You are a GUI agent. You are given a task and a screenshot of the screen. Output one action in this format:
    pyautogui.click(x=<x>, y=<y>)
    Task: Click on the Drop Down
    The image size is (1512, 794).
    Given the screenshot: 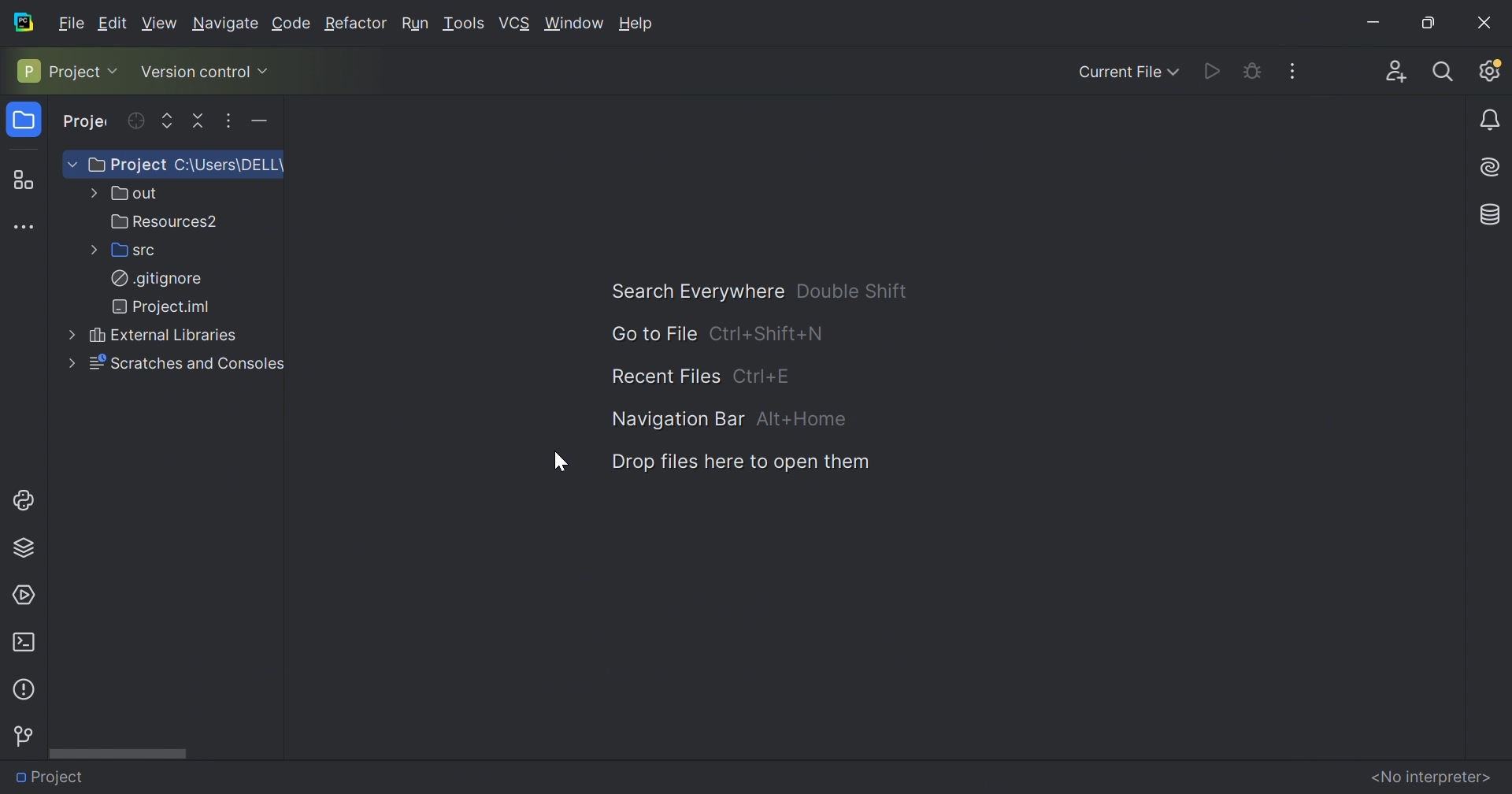 What is the action you would take?
    pyautogui.click(x=117, y=70)
    